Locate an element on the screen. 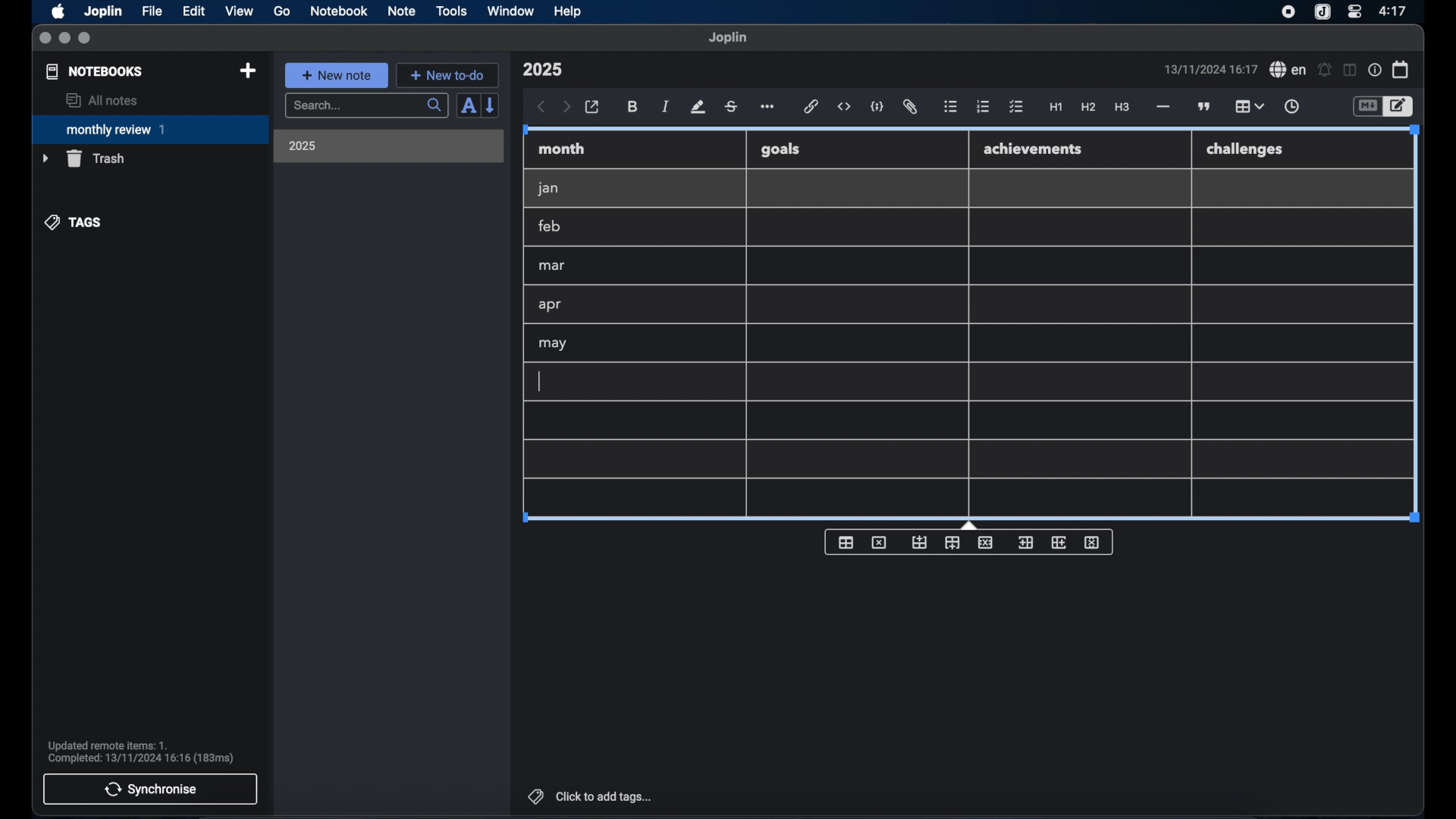 This screenshot has height=819, width=1456. window is located at coordinates (511, 11).